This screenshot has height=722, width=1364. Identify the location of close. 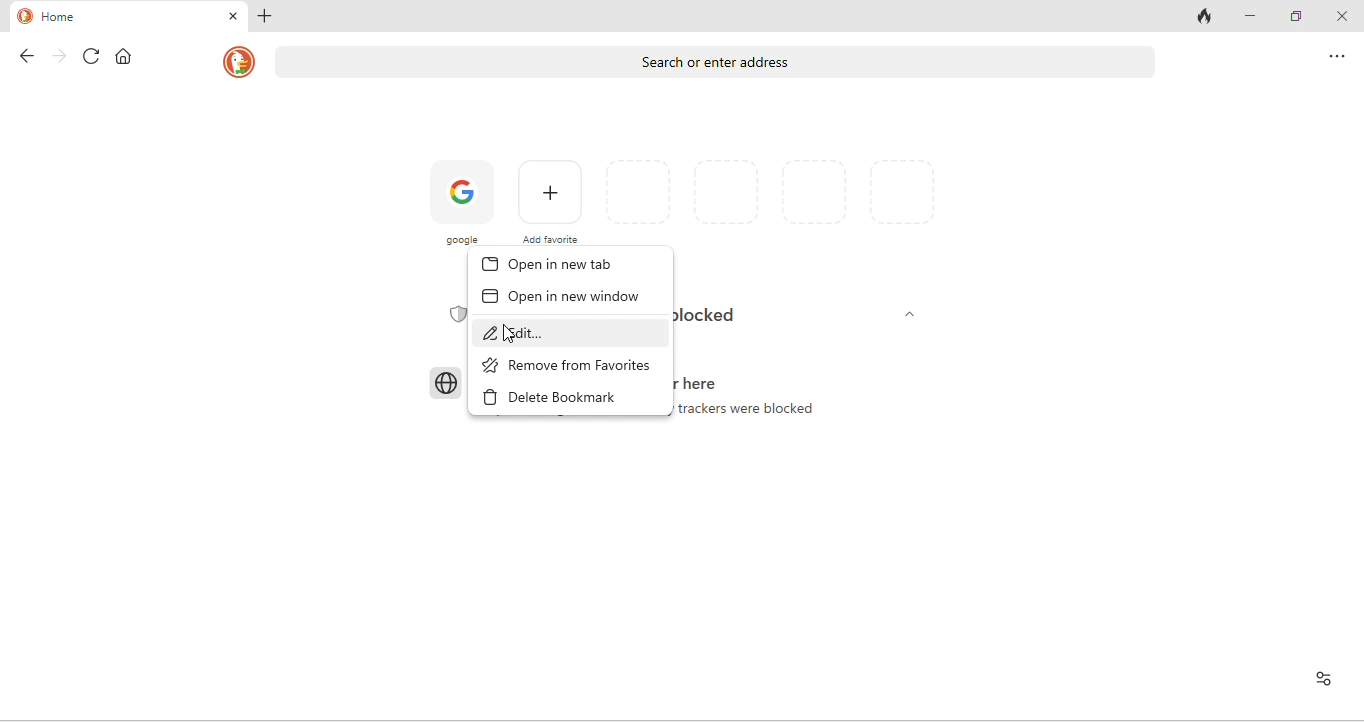
(229, 18).